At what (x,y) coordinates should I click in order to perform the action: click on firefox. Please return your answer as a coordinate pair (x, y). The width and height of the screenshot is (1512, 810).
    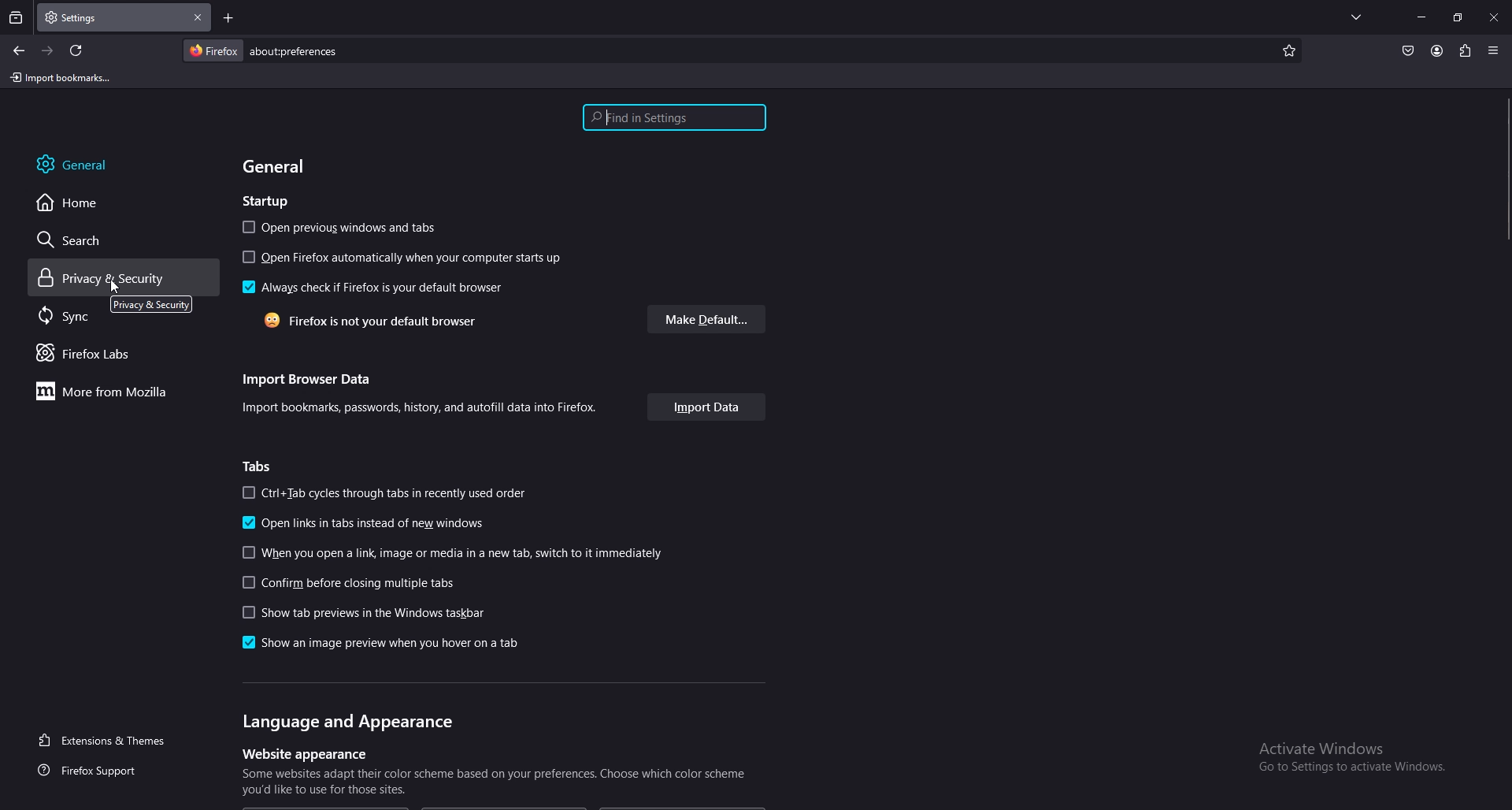
    Looking at the image, I should click on (213, 50).